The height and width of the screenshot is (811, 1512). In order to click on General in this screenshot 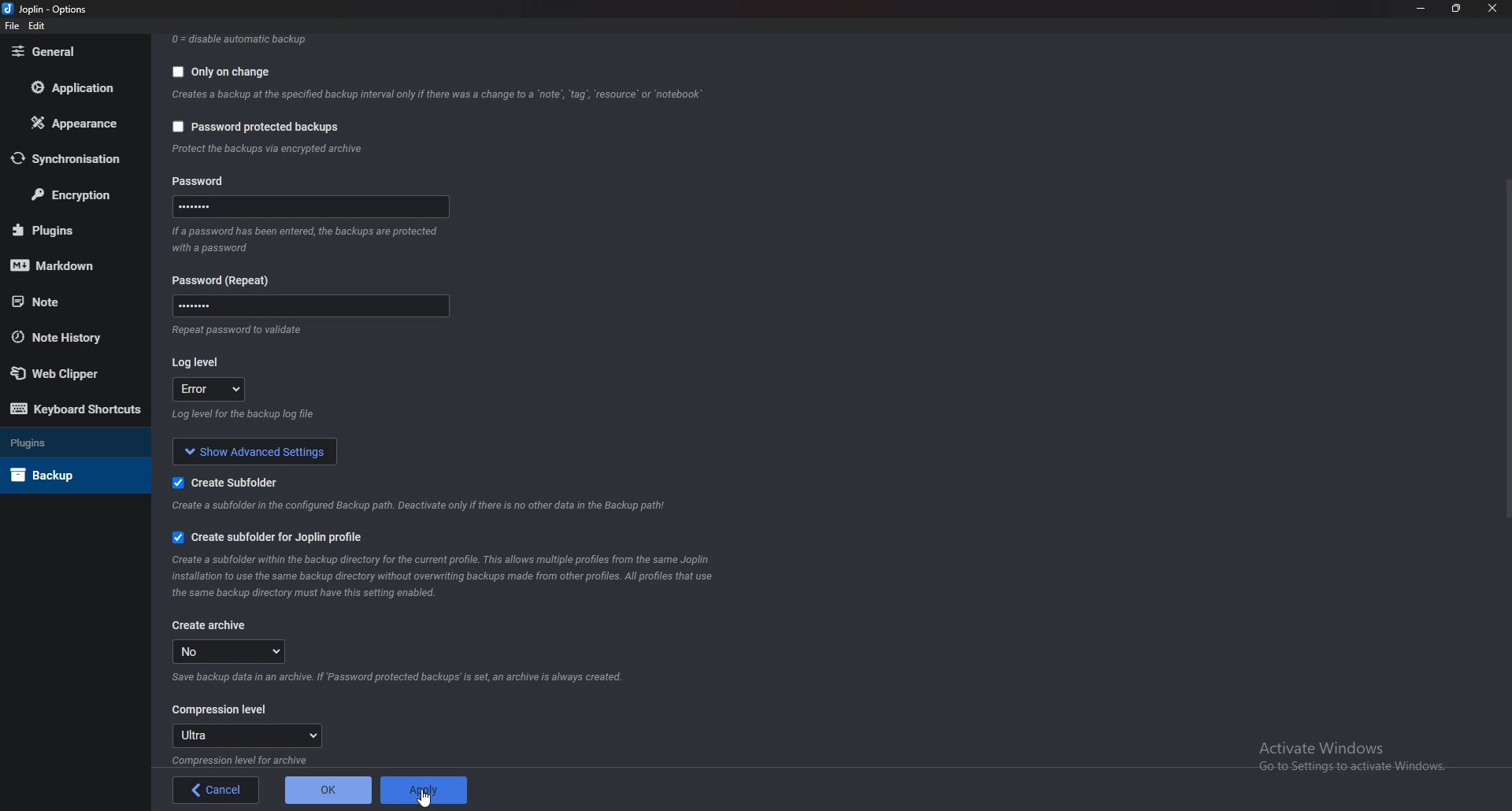, I will do `click(73, 52)`.